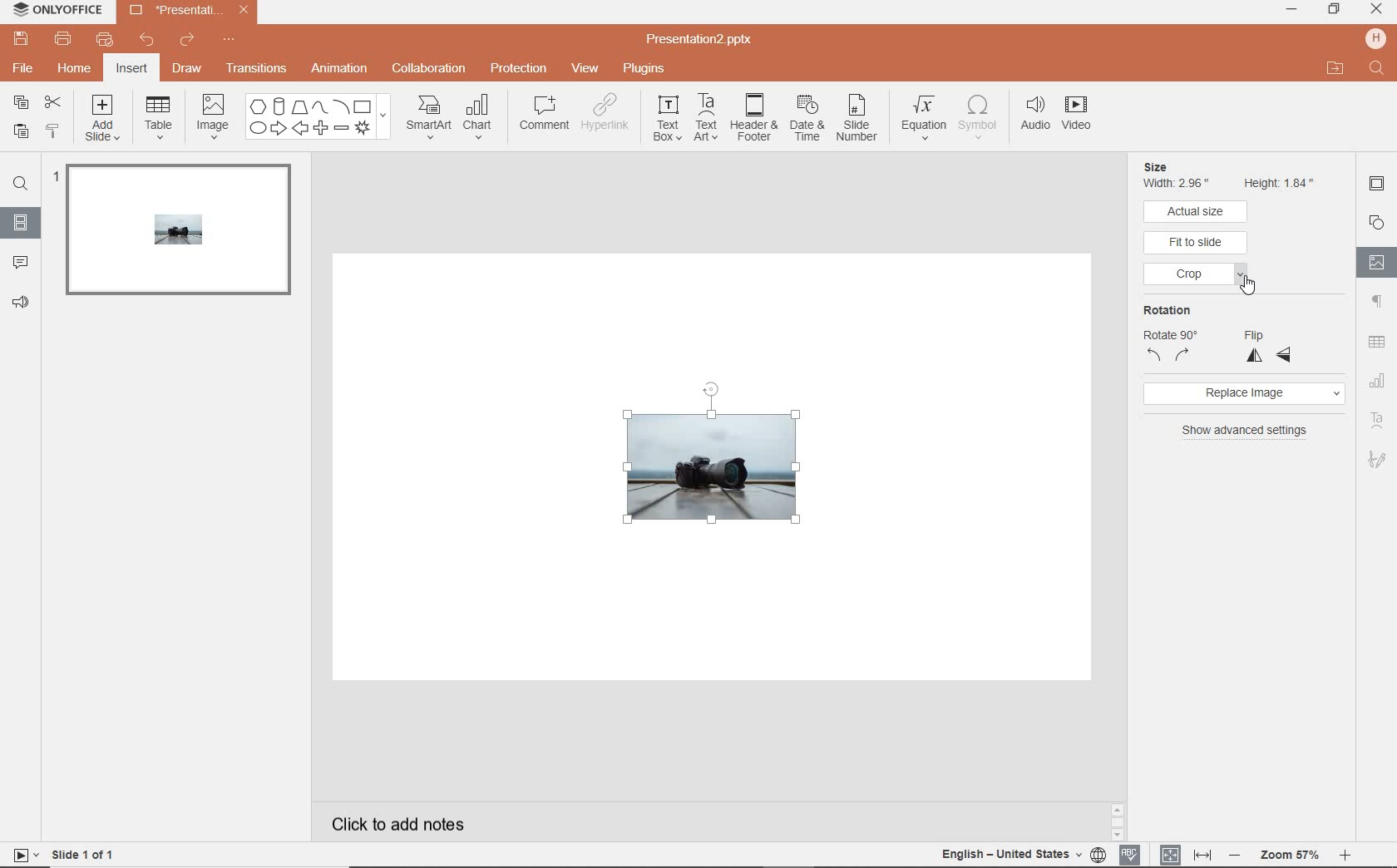 This screenshot has height=868, width=1397. Describe the element at coordinates (704, 471) in the screenshot. I see `Inserted Image` at that location.